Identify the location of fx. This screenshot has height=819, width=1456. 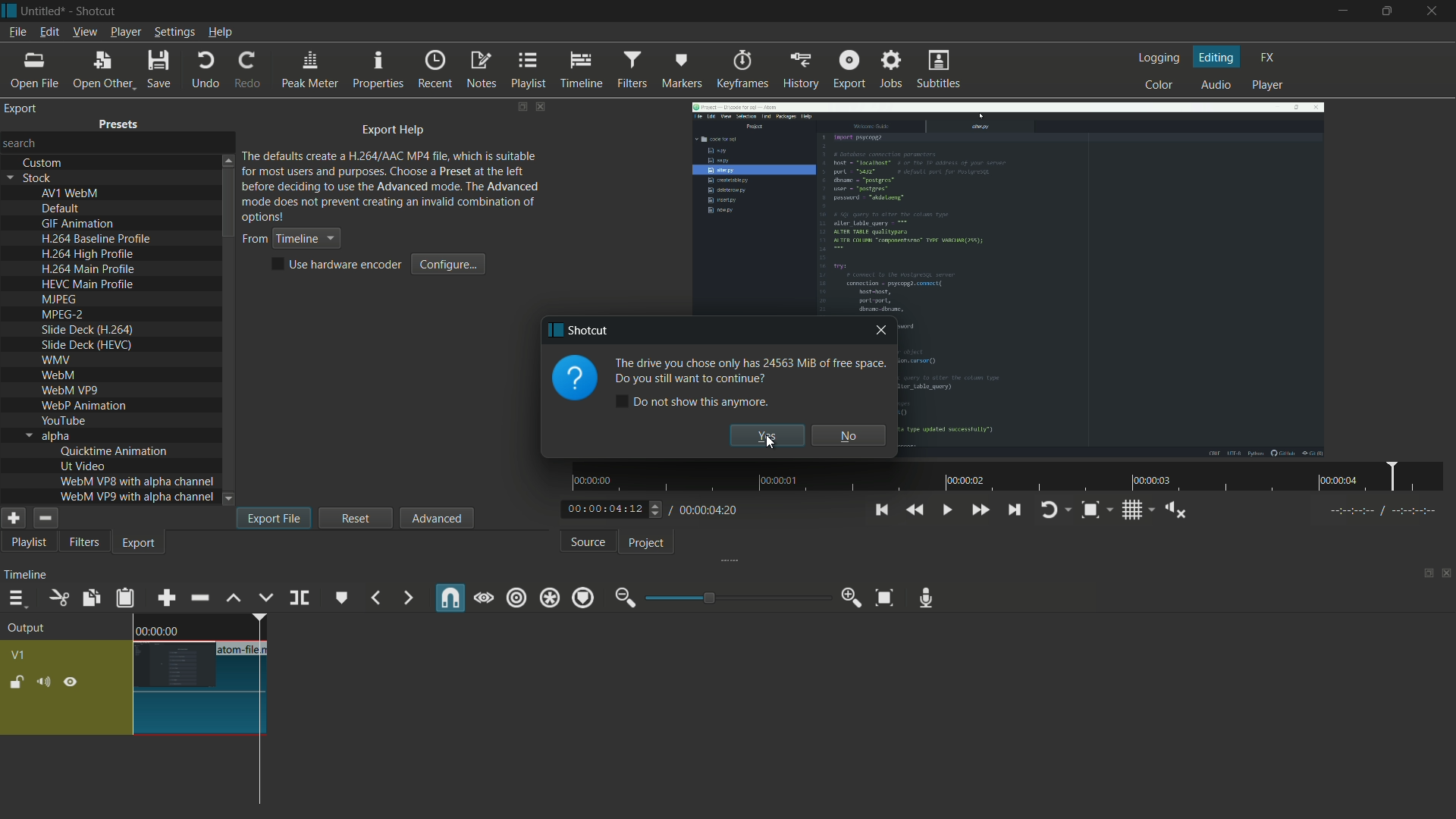
(1268, 56).